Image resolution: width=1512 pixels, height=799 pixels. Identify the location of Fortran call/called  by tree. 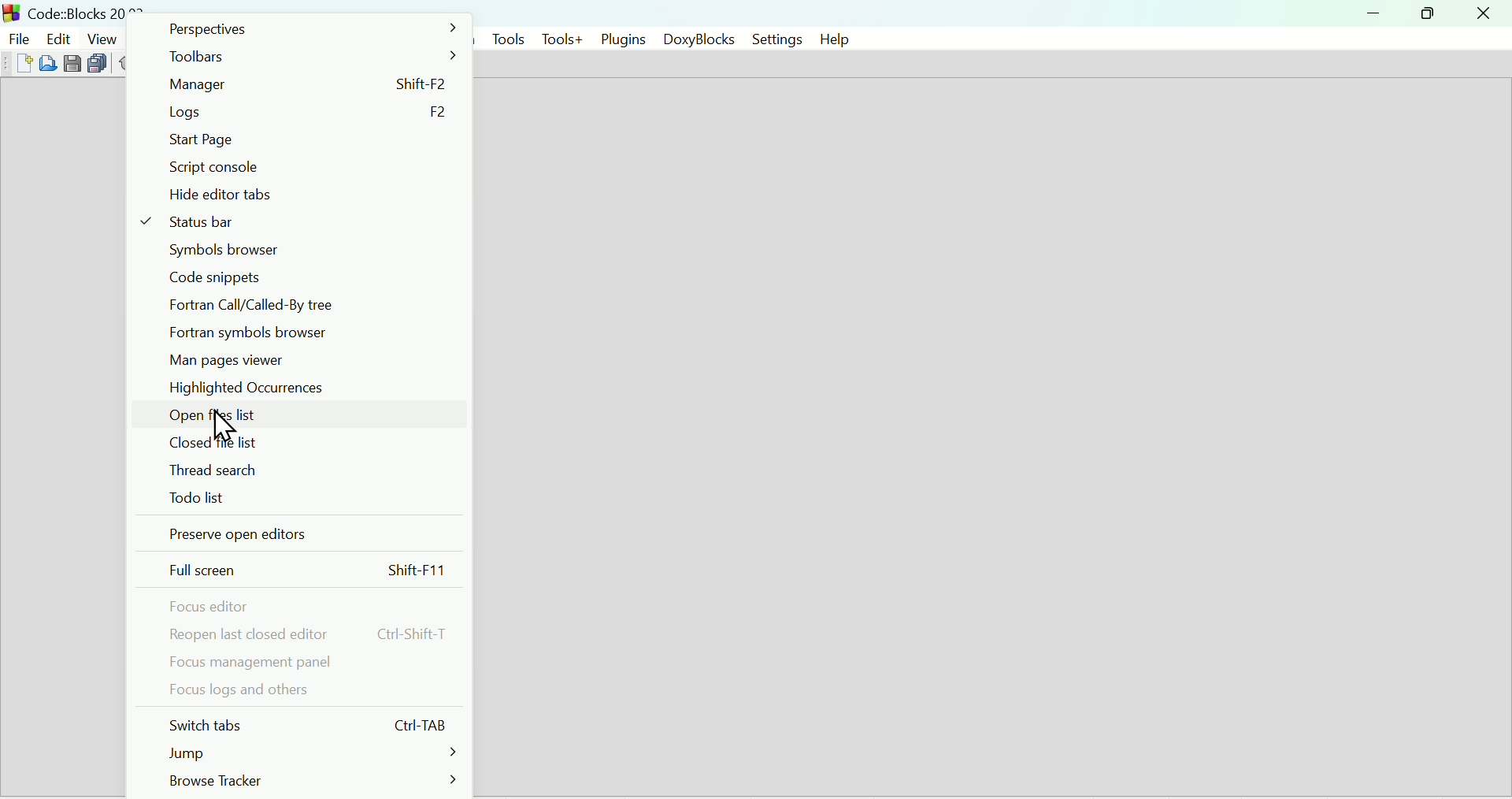
(306, 305).